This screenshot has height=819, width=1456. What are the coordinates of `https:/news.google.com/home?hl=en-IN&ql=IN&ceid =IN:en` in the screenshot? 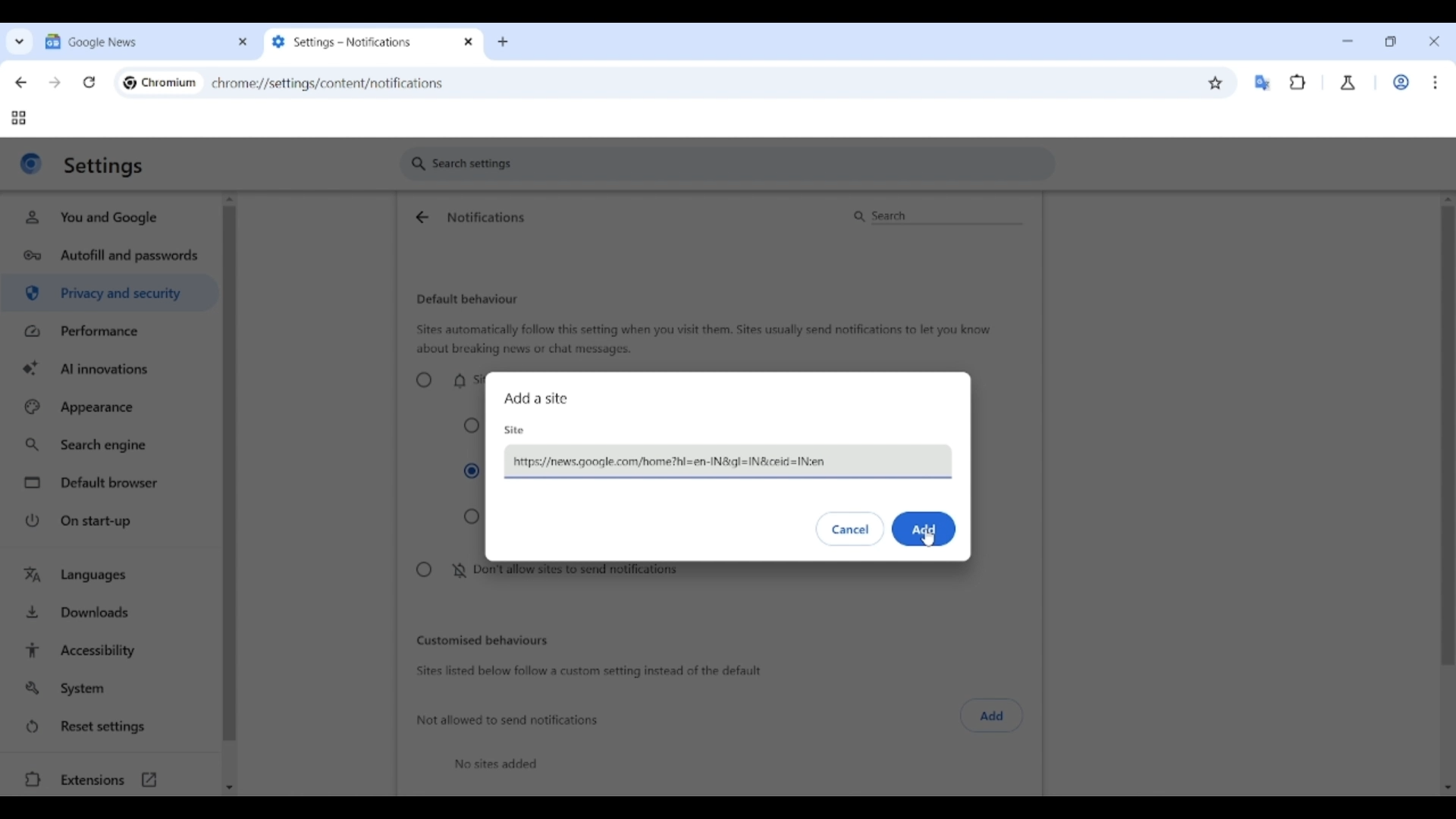 It's located at (669, 463).